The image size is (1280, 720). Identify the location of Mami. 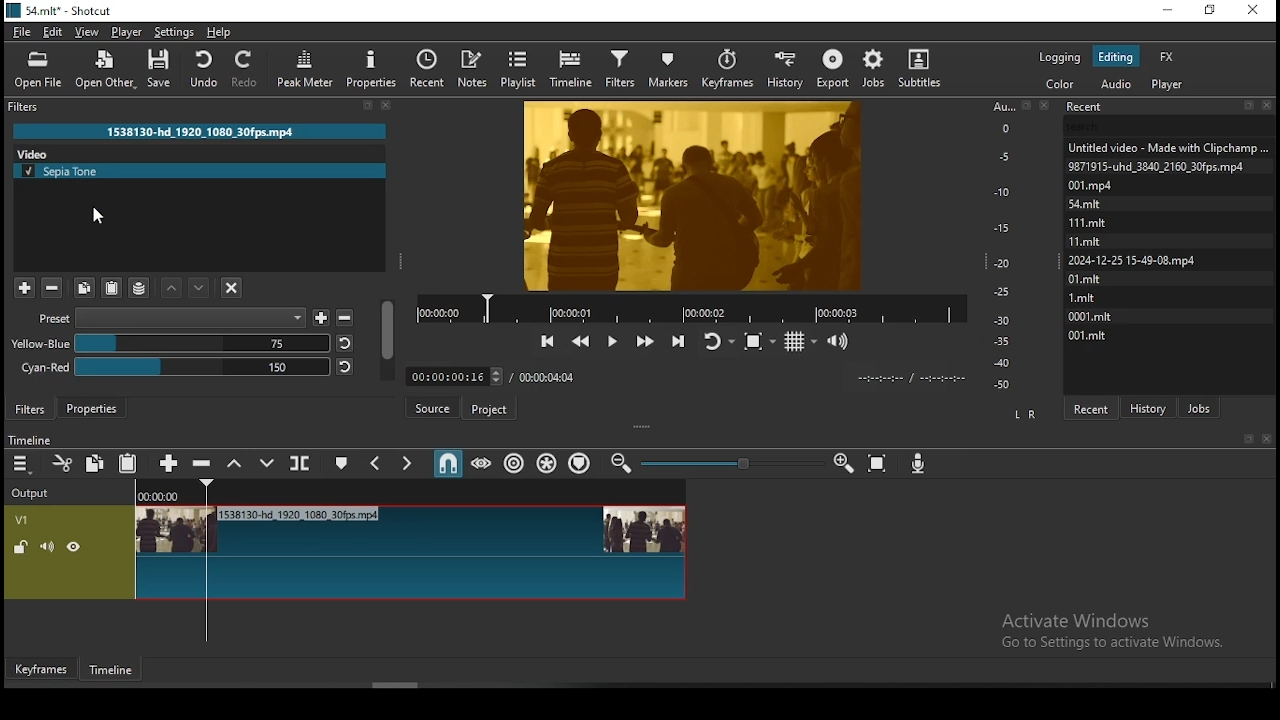
(1087, 239).